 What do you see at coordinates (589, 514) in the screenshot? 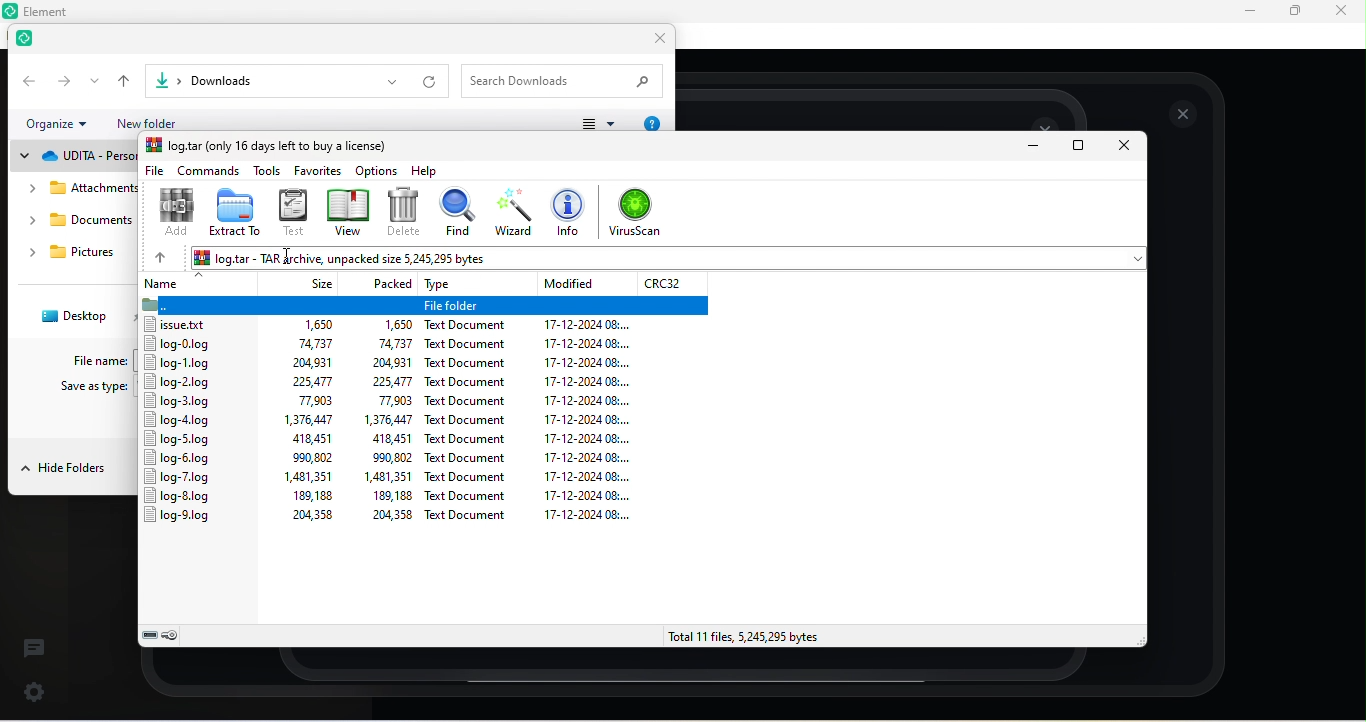
I see `17-12-2024 08:...` at bounding box center [589, 514].